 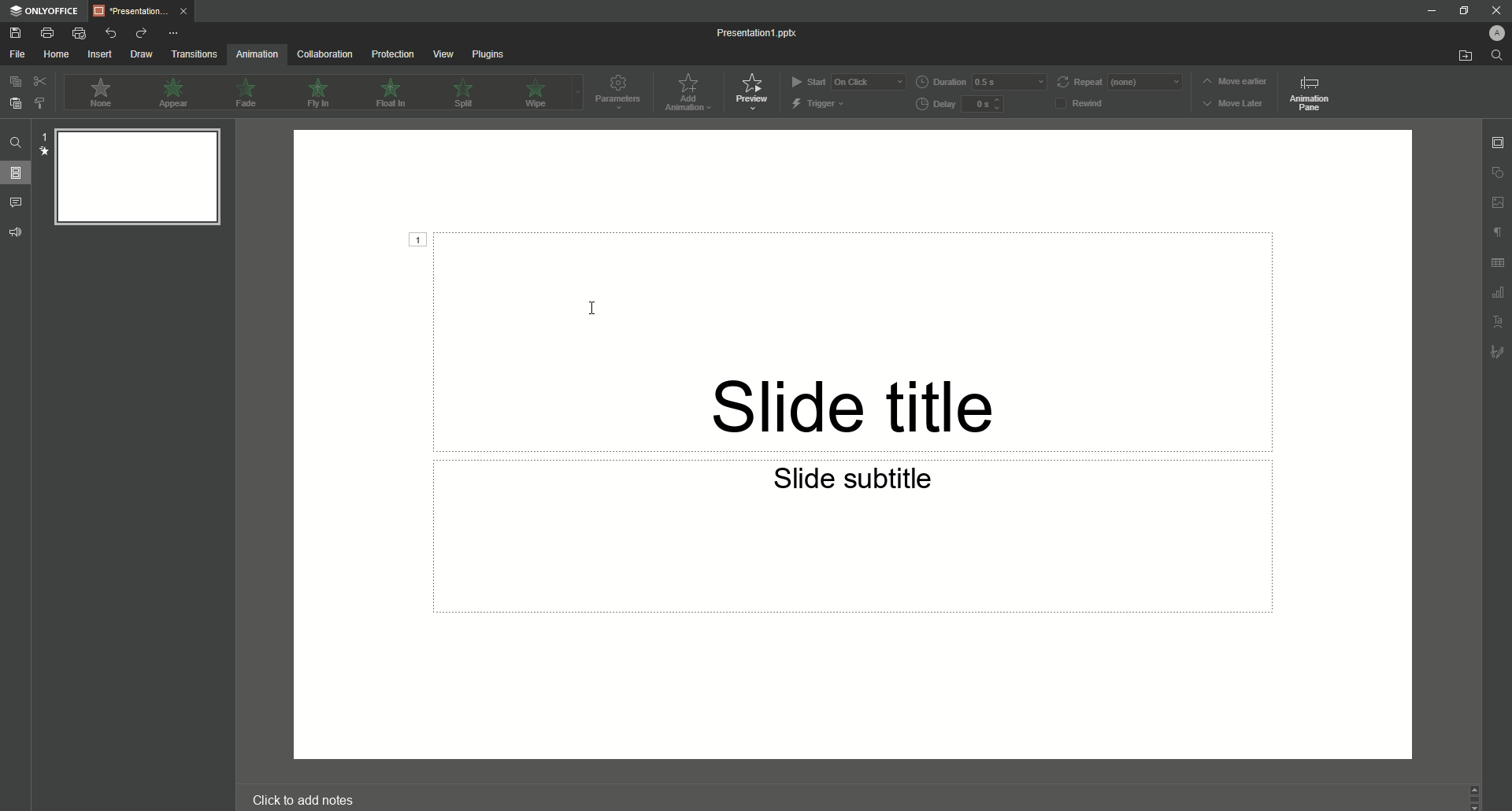 I want to click on Slides, so click(x=17, y=172).